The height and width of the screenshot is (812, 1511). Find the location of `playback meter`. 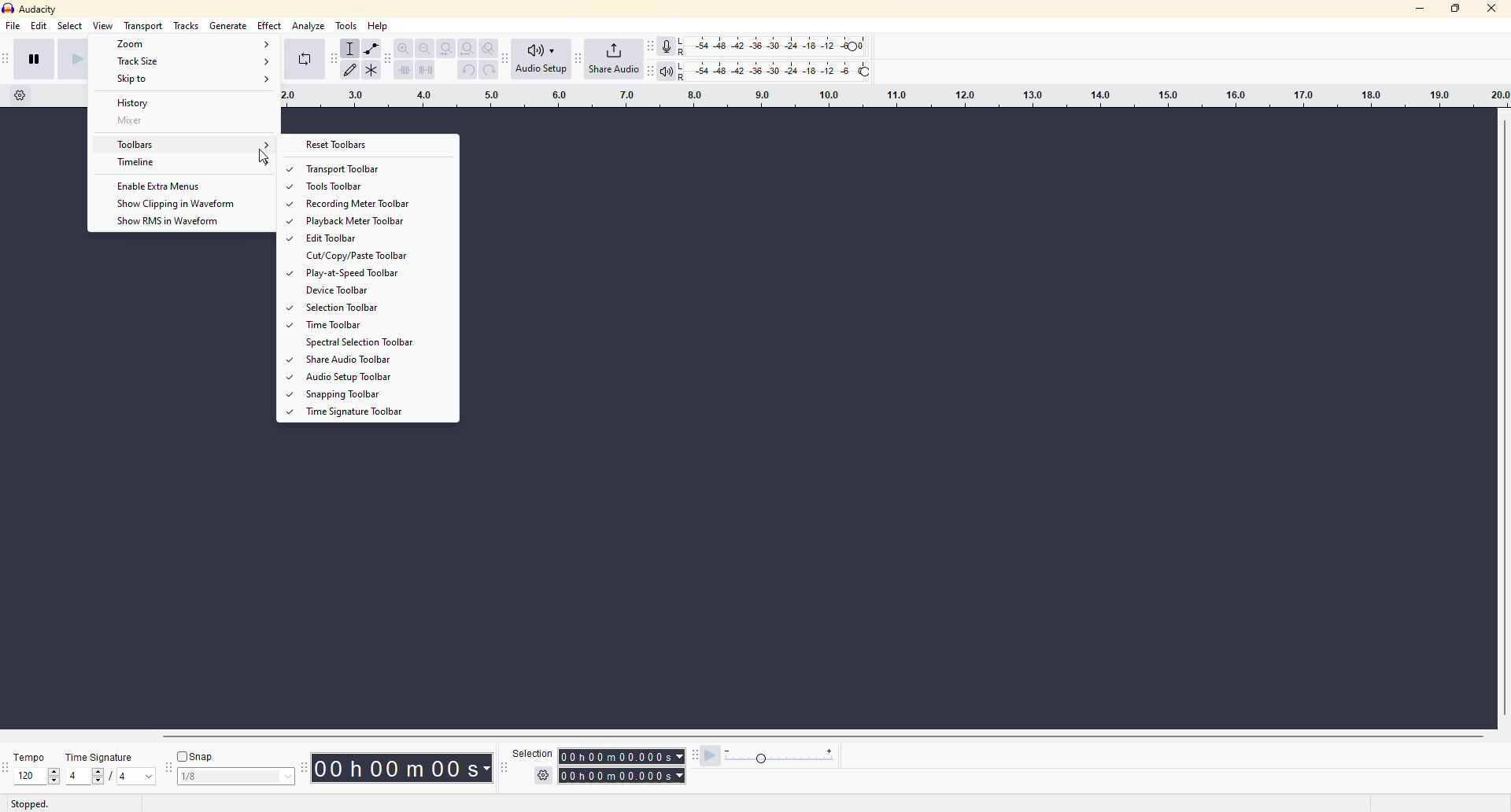

playback meter is located at coordinates (667, 71).